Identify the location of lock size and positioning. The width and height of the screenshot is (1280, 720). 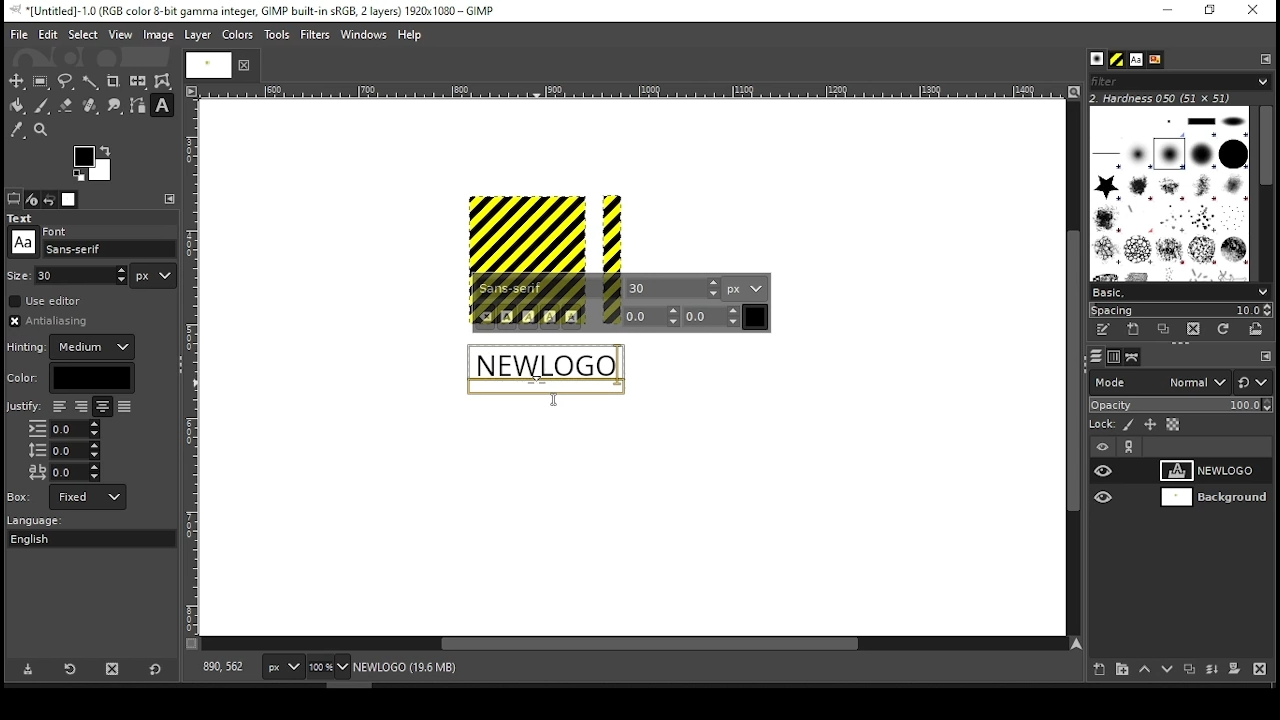
(1152, 425).